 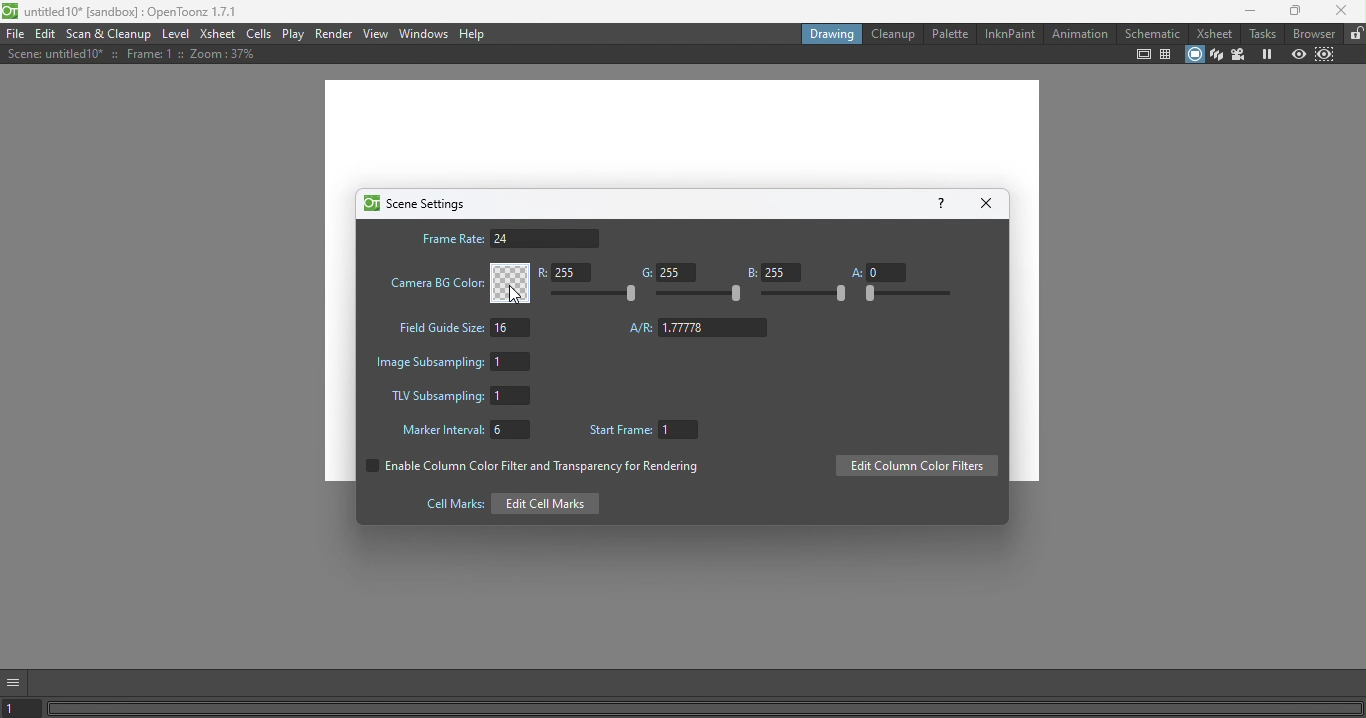 I want to click on Enable column color filter and transparency for rendering, so click(x=529, y=469).